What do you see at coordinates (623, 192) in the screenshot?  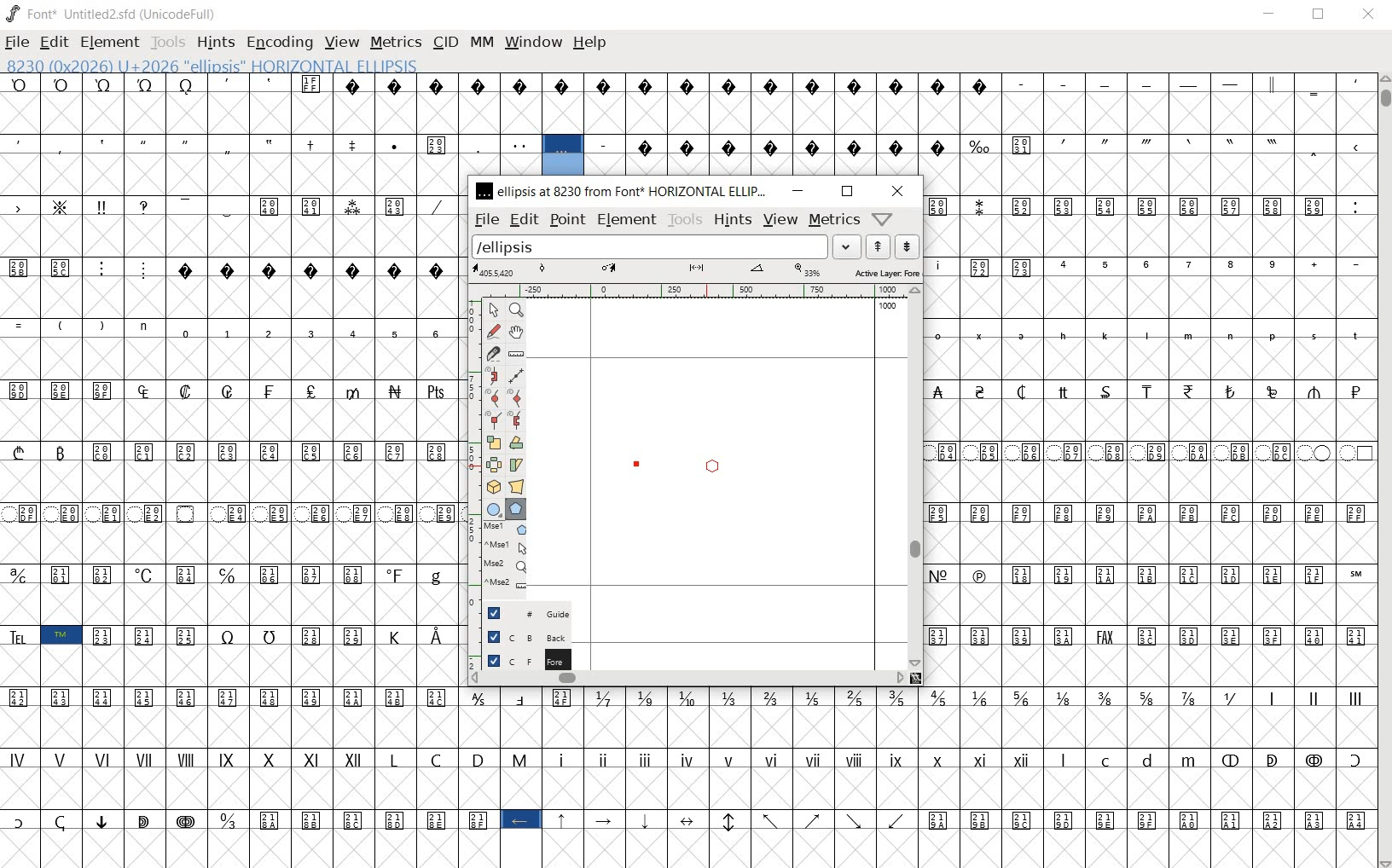 I see `ellipsis at 8230 from FONT HORIZONTAL ELLIPSIS` at bounding box center [623, 192].